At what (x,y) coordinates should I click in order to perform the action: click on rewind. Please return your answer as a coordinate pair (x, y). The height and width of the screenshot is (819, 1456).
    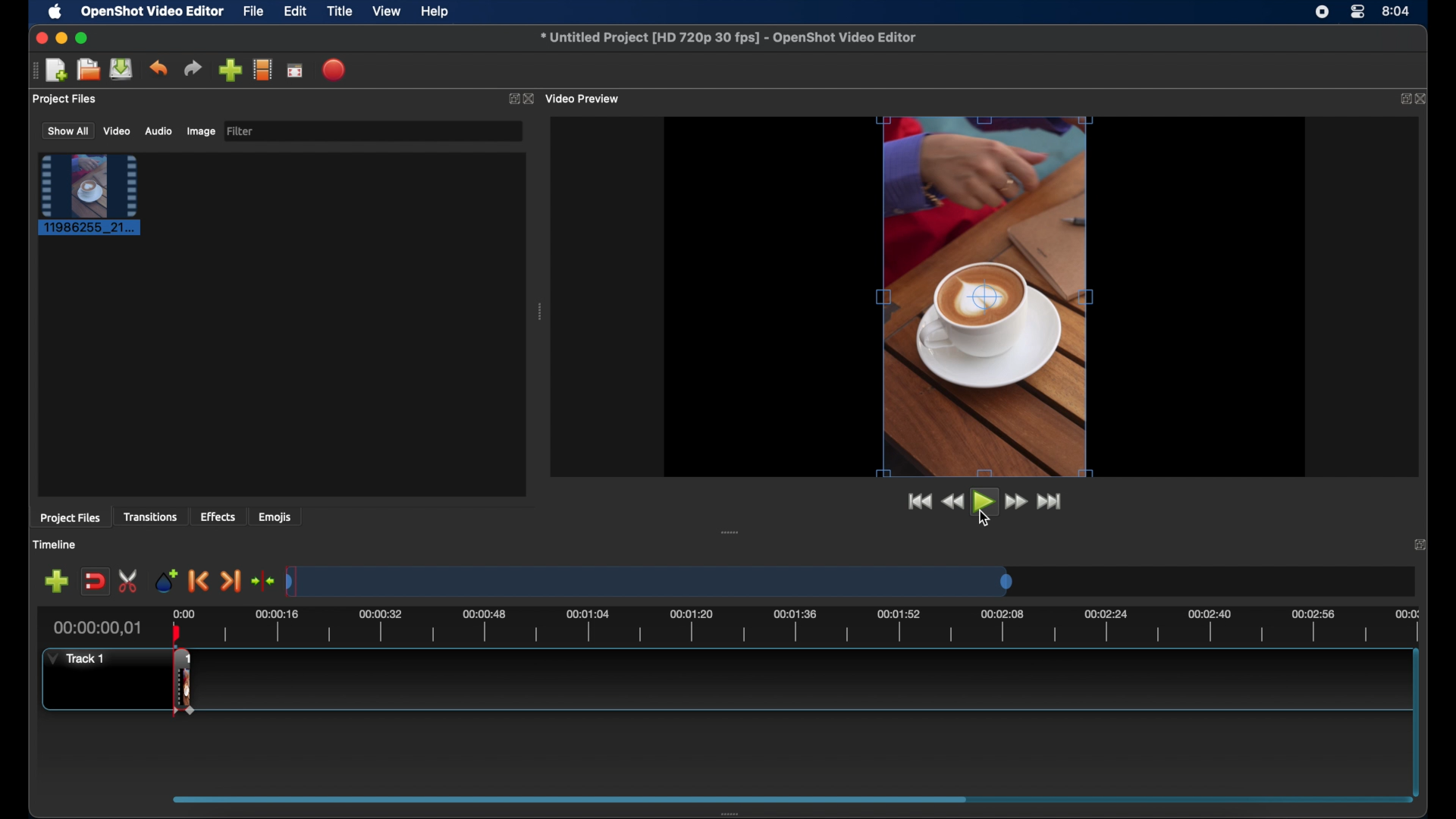
    Looking at the image, I should click on (953, 502).